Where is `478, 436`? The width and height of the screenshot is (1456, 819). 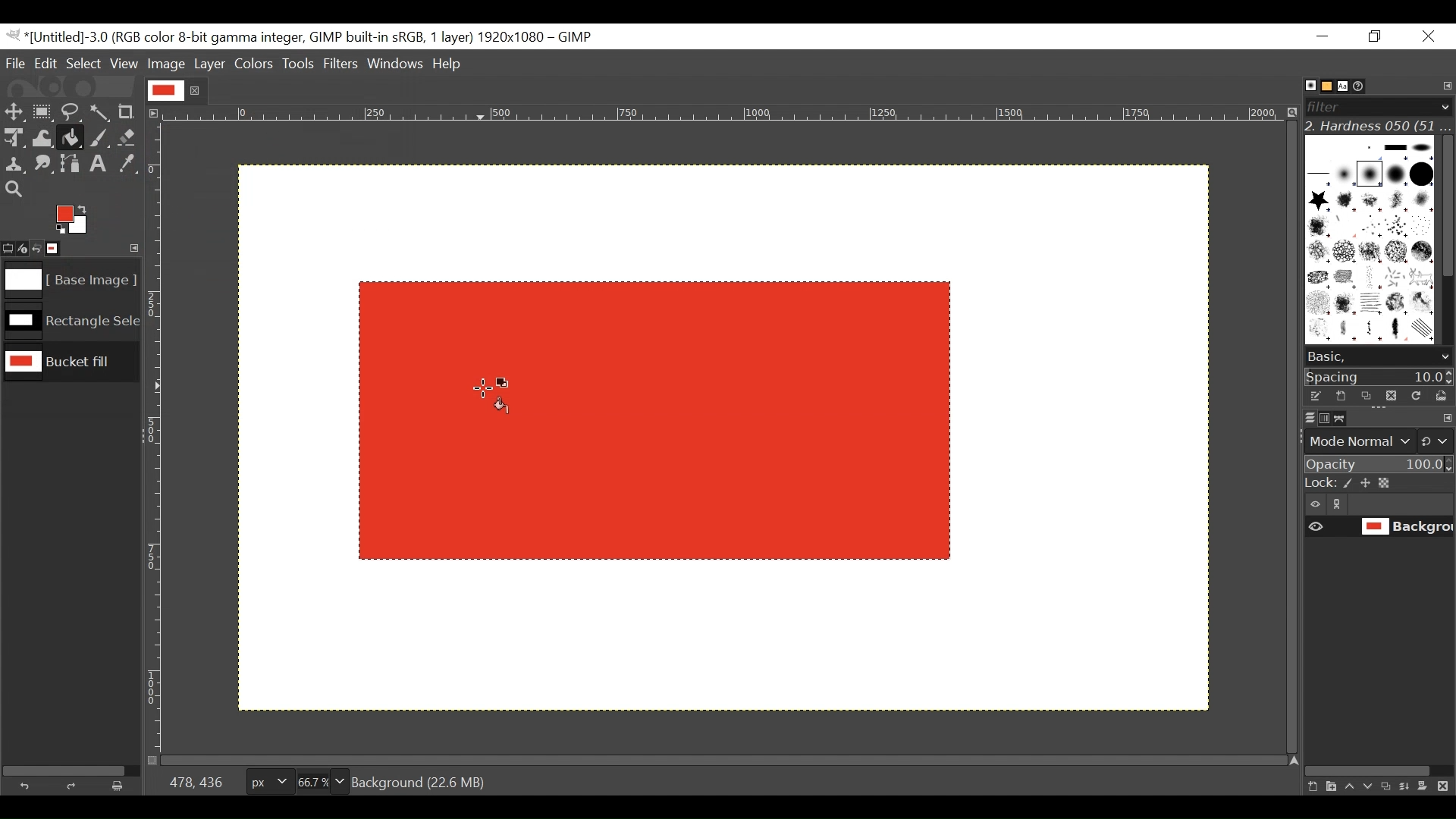 478, 436 is located at coordinates (193, 783).